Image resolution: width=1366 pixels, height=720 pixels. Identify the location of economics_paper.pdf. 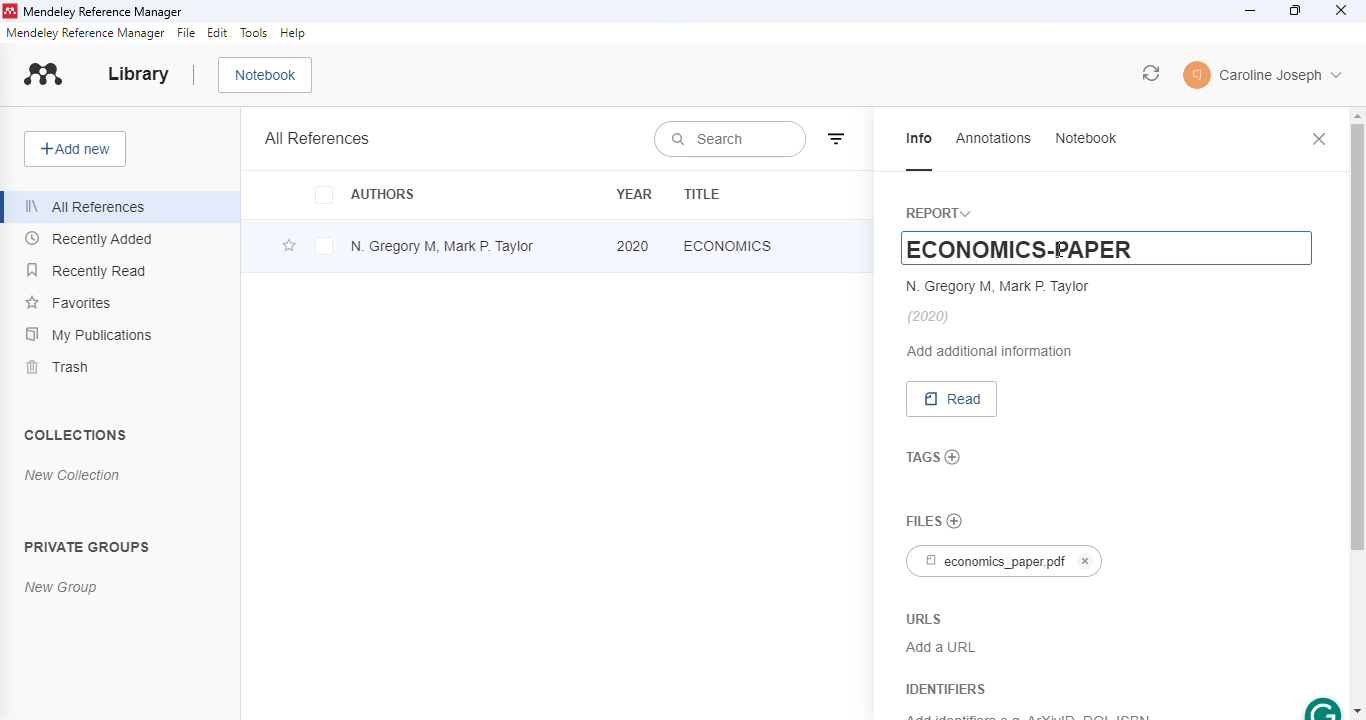
(989, 561).